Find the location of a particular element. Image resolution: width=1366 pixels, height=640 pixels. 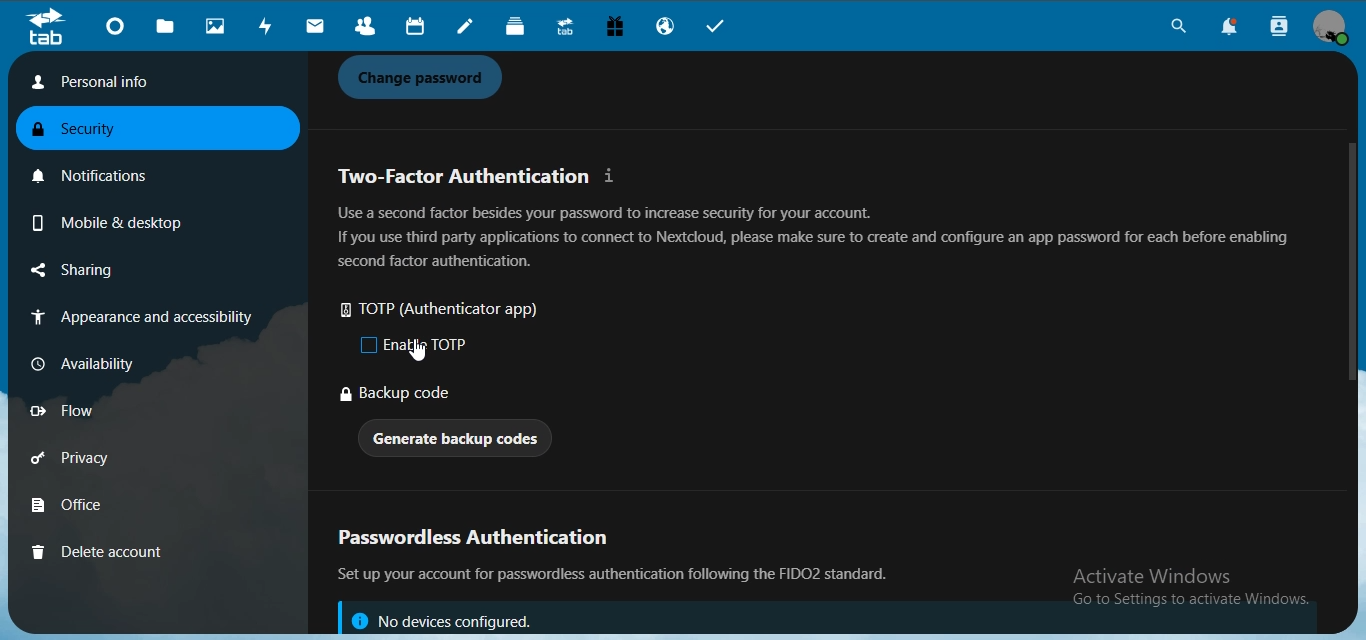

email hosting is located at coordinates (668, 28).